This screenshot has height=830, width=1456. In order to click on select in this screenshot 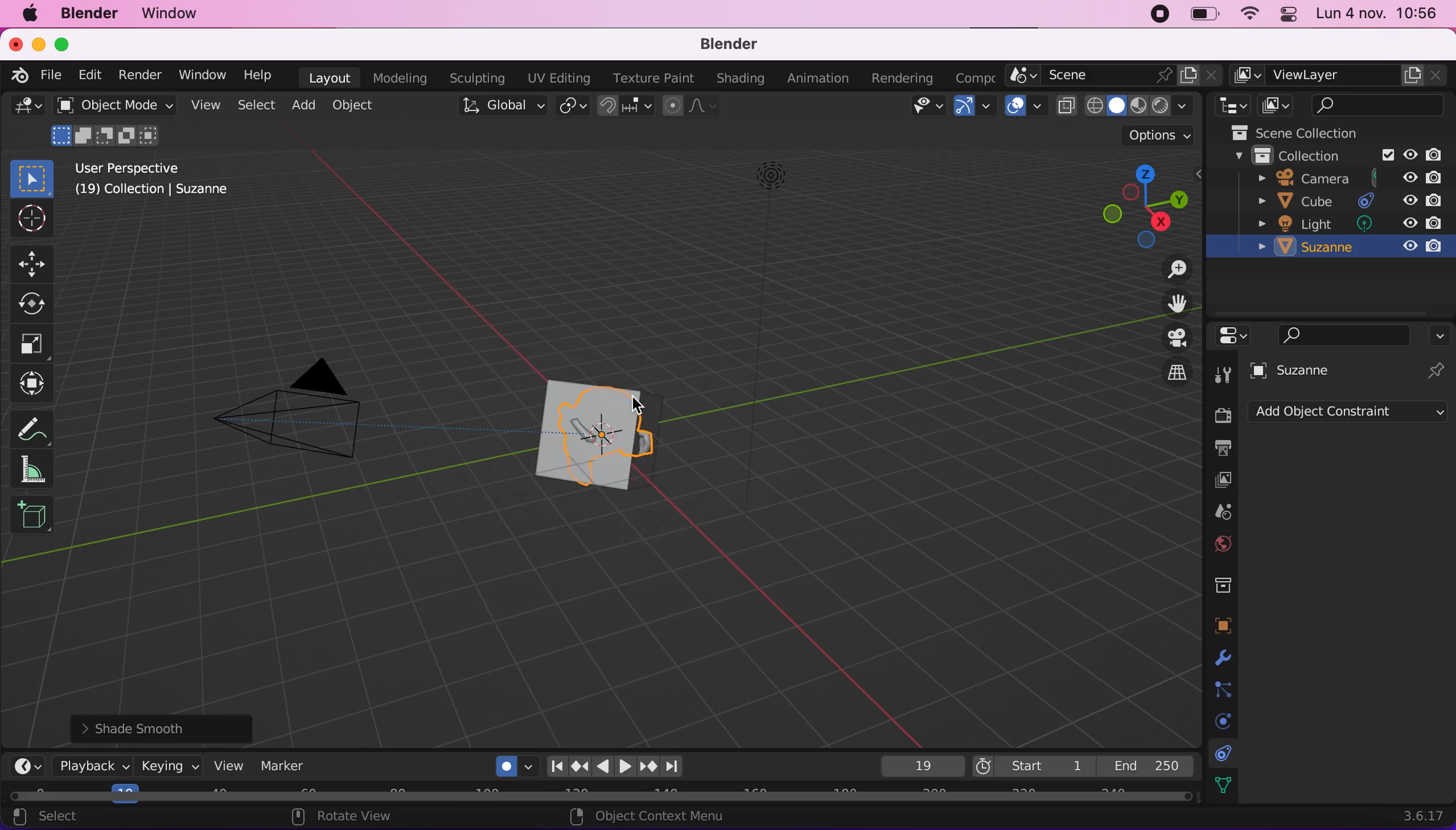, I will do `click(254, 104)`.